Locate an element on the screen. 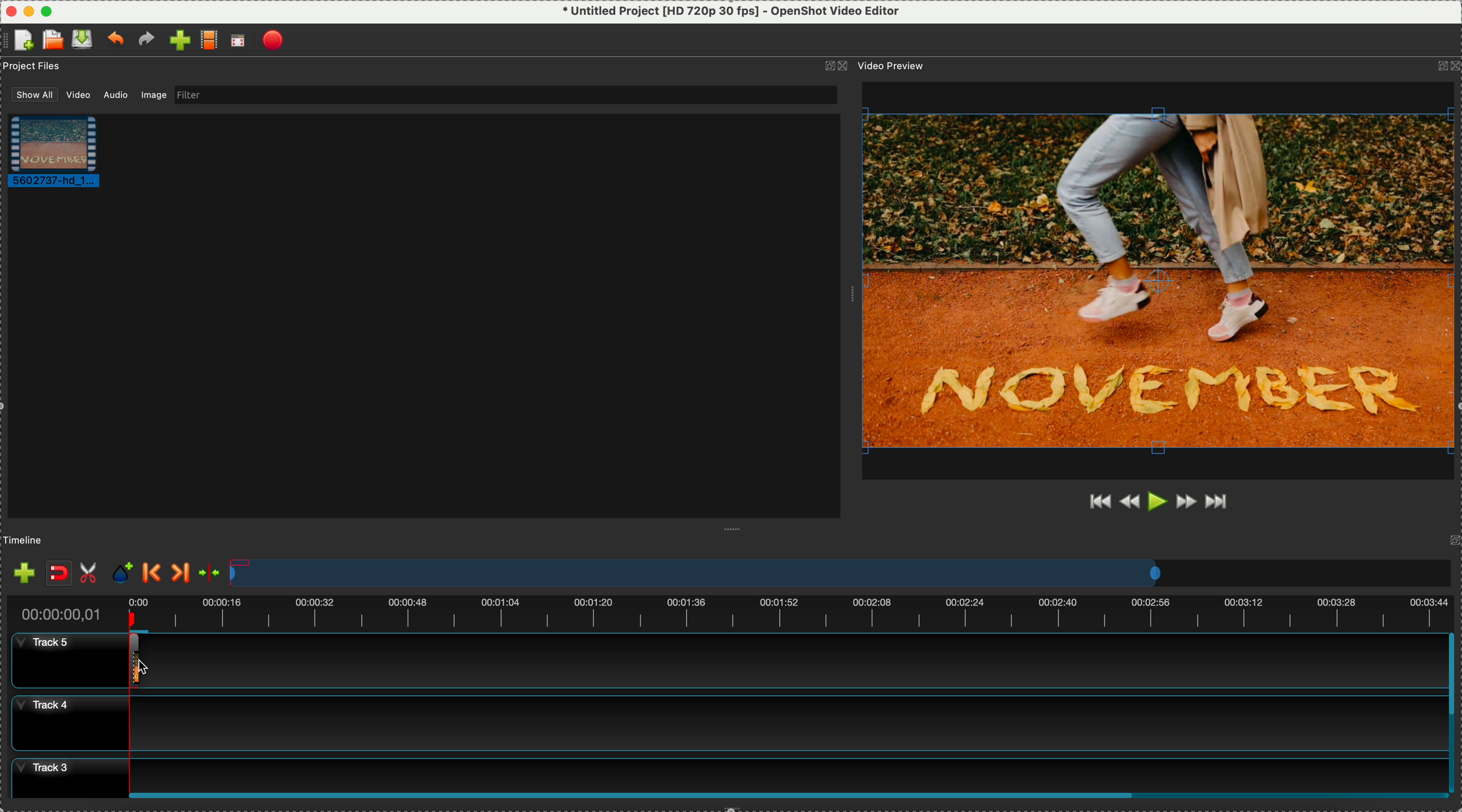 The height and width of the screenshot is (812, 1462). create file is located at coordinates (21, 41).